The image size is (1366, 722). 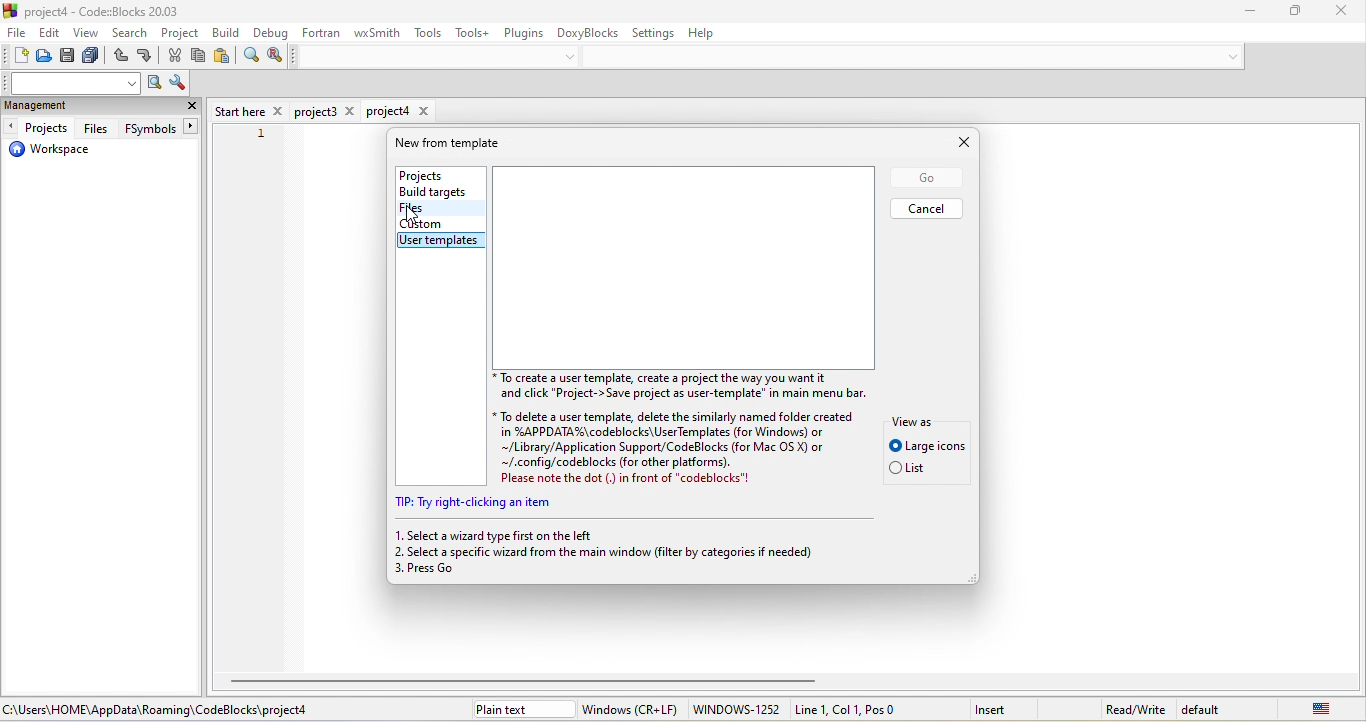 What do you see at coordinates (925, 178) in the screenshot?
I see `go` at bounding box center [925, 178].